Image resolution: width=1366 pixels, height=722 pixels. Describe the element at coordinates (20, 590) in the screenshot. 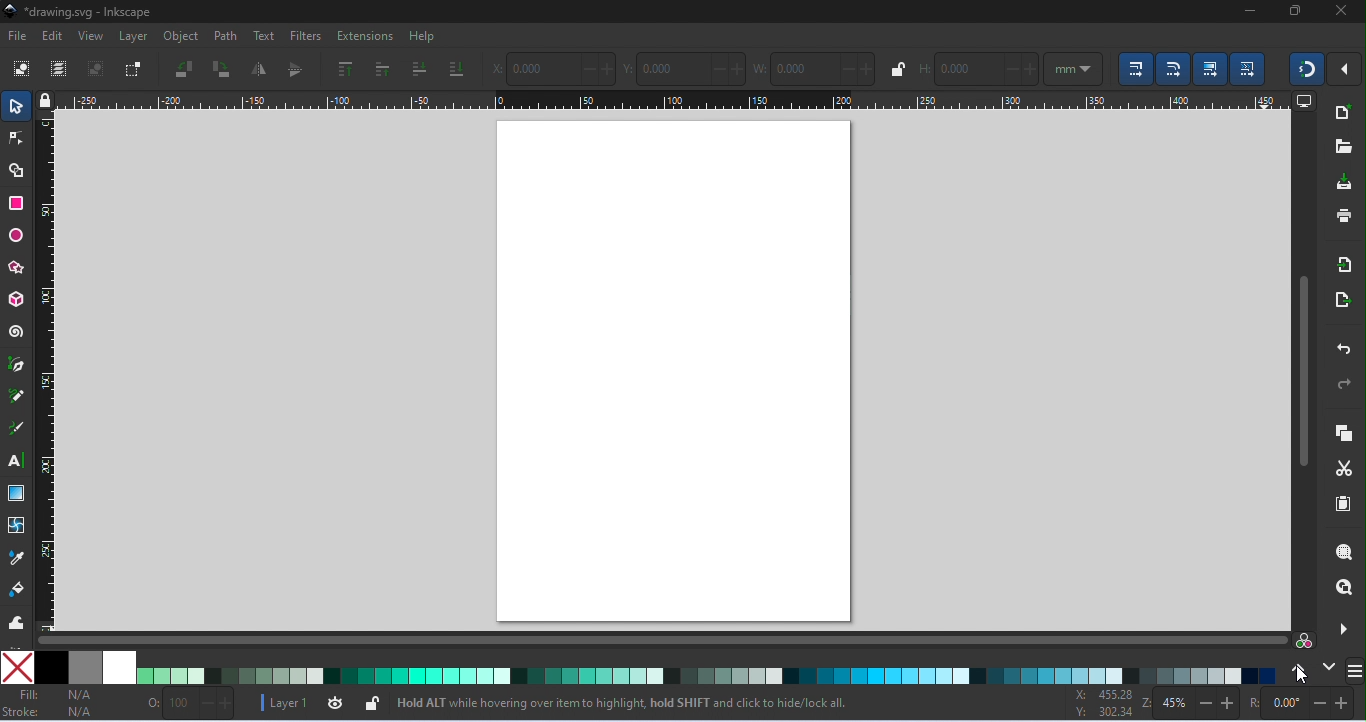

I see `paint bucket` at that location.